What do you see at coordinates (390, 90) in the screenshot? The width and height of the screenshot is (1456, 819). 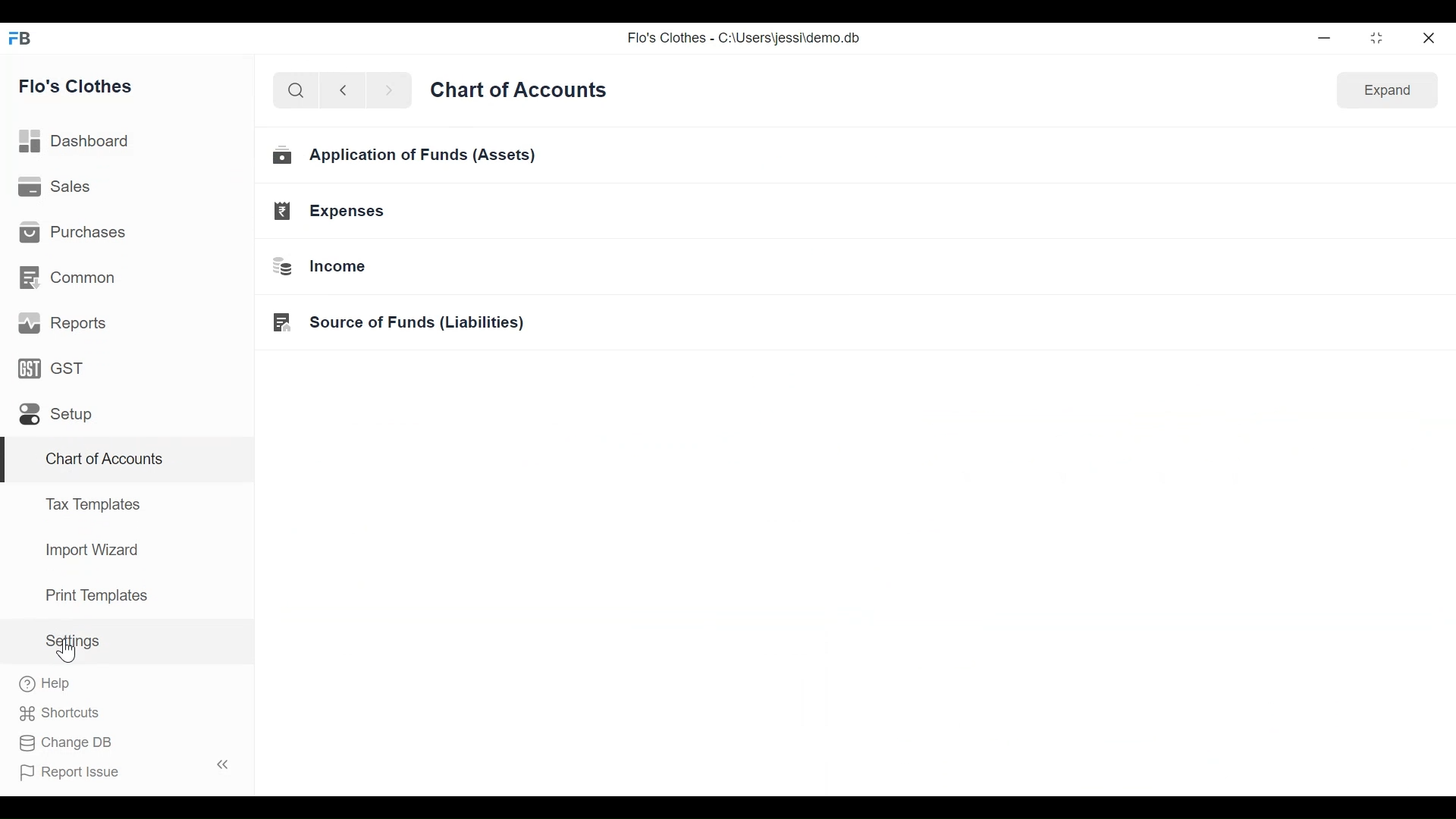 I see `next` at bounding box center [390, 90].